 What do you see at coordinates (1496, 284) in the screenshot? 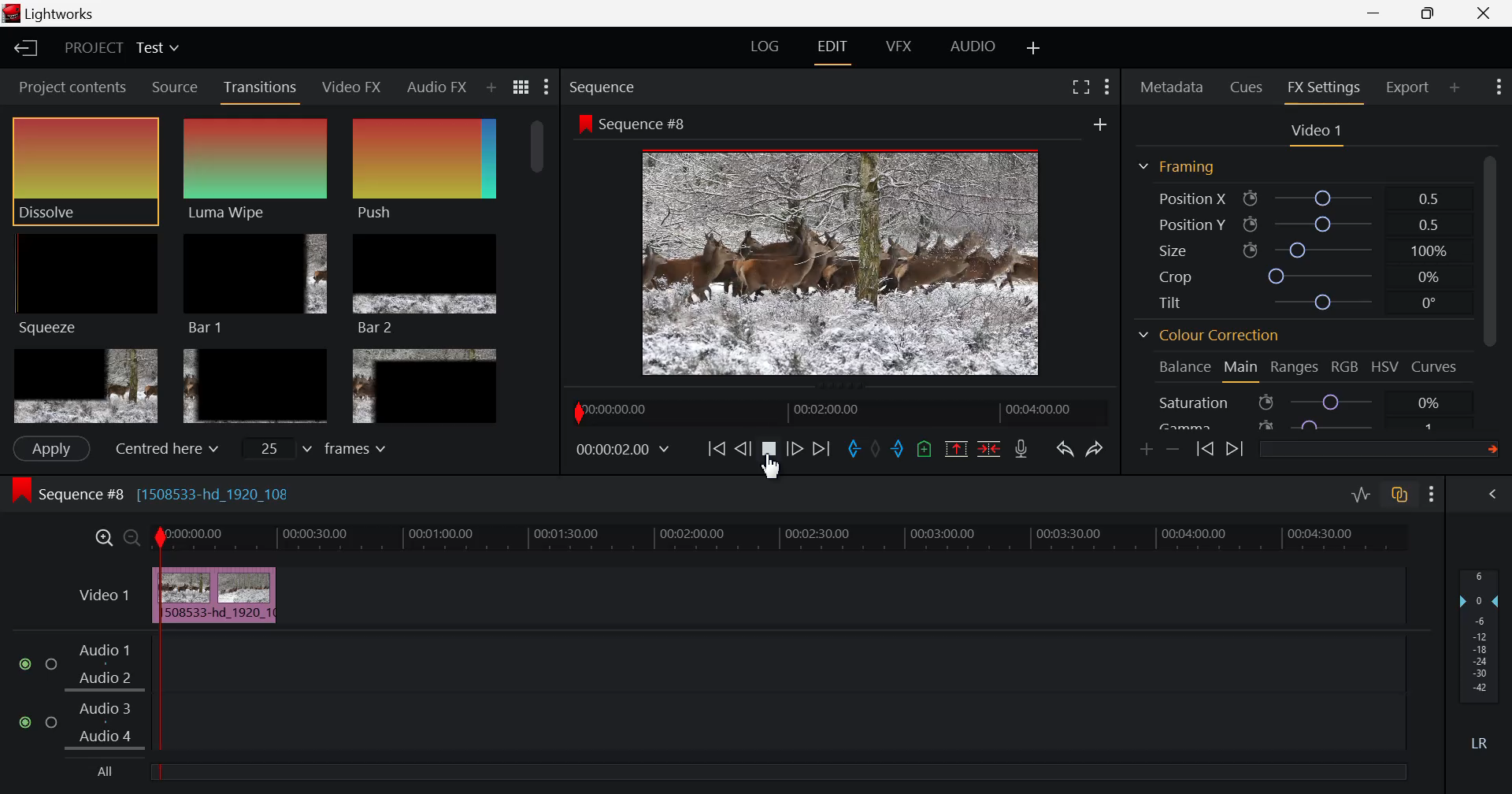
I see `Scroll Bar` at bounding box center [1496, 284].